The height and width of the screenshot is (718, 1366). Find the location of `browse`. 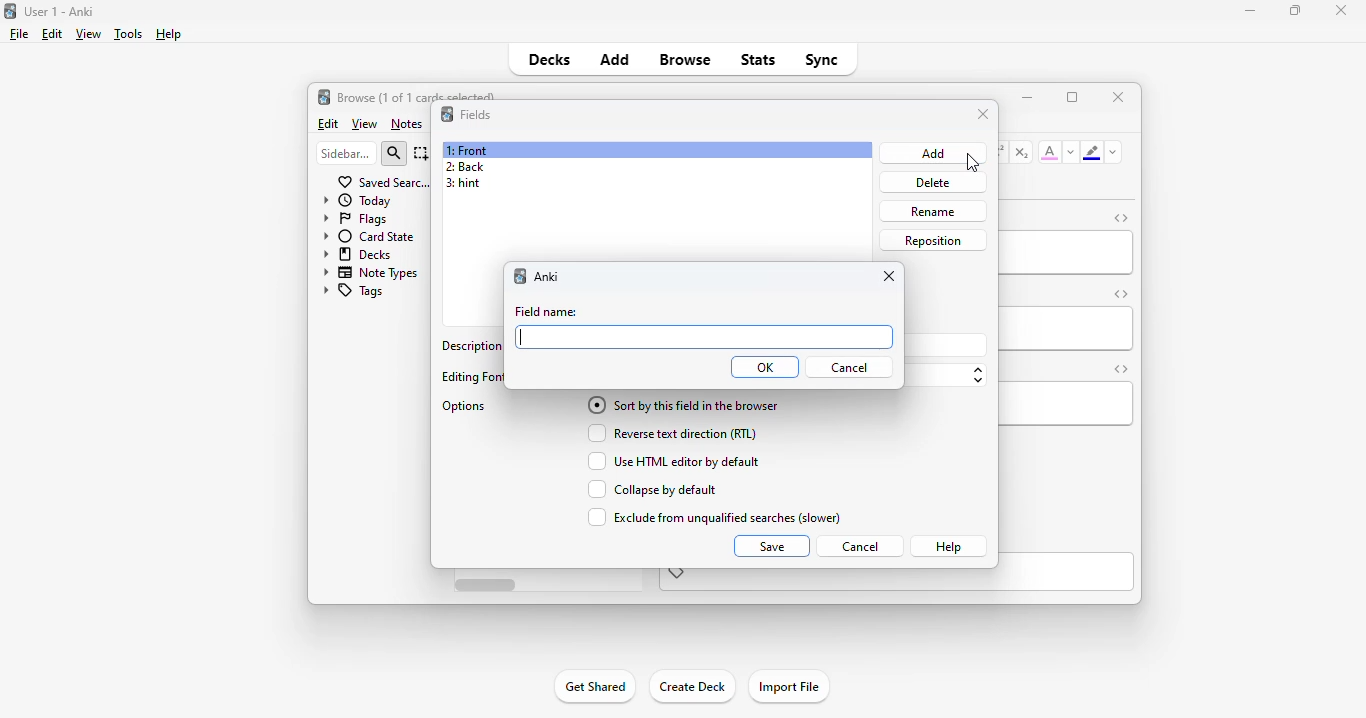

browse is located at coordinates (685, 59).